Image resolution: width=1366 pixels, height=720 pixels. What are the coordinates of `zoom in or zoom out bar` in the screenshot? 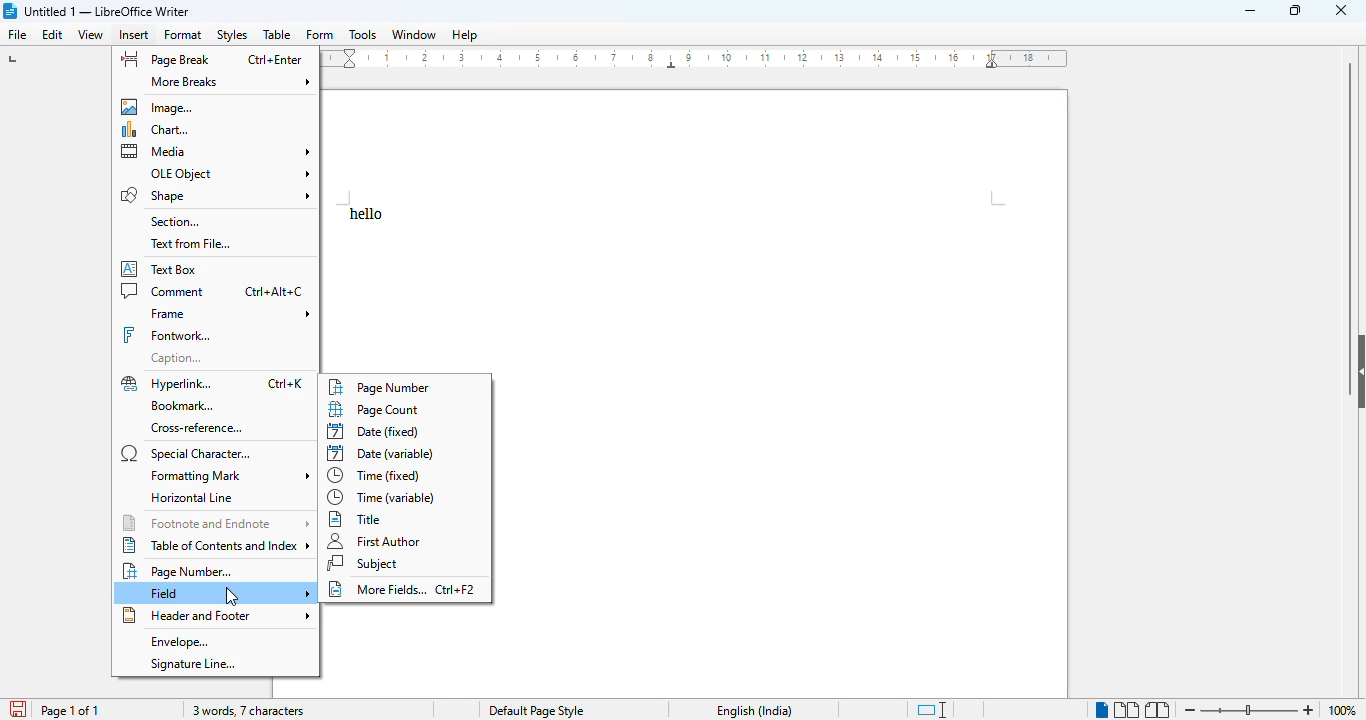 It's located at (1248, 710).